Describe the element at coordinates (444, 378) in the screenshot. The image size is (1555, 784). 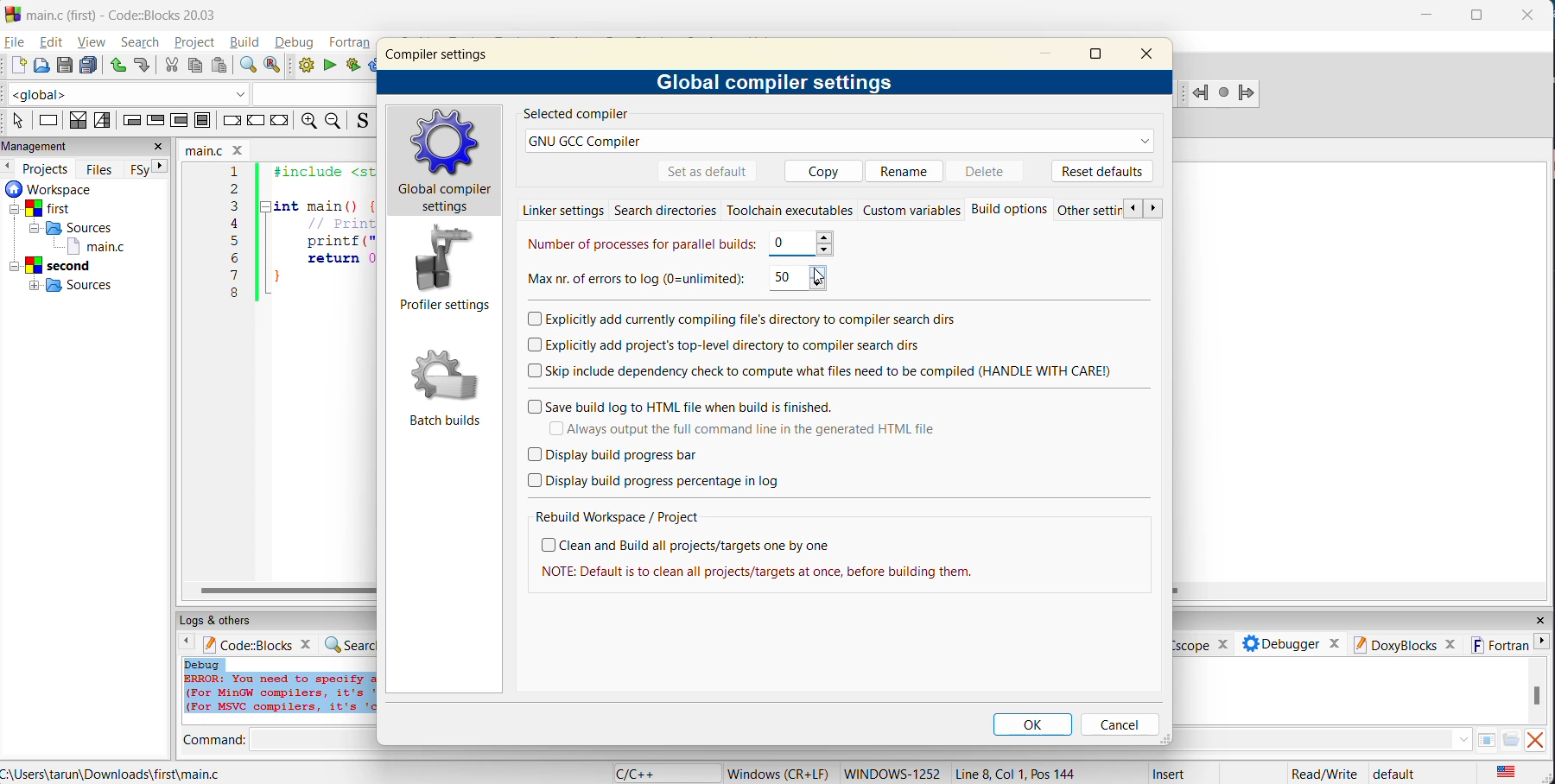
I see `Batch builds` at that location.